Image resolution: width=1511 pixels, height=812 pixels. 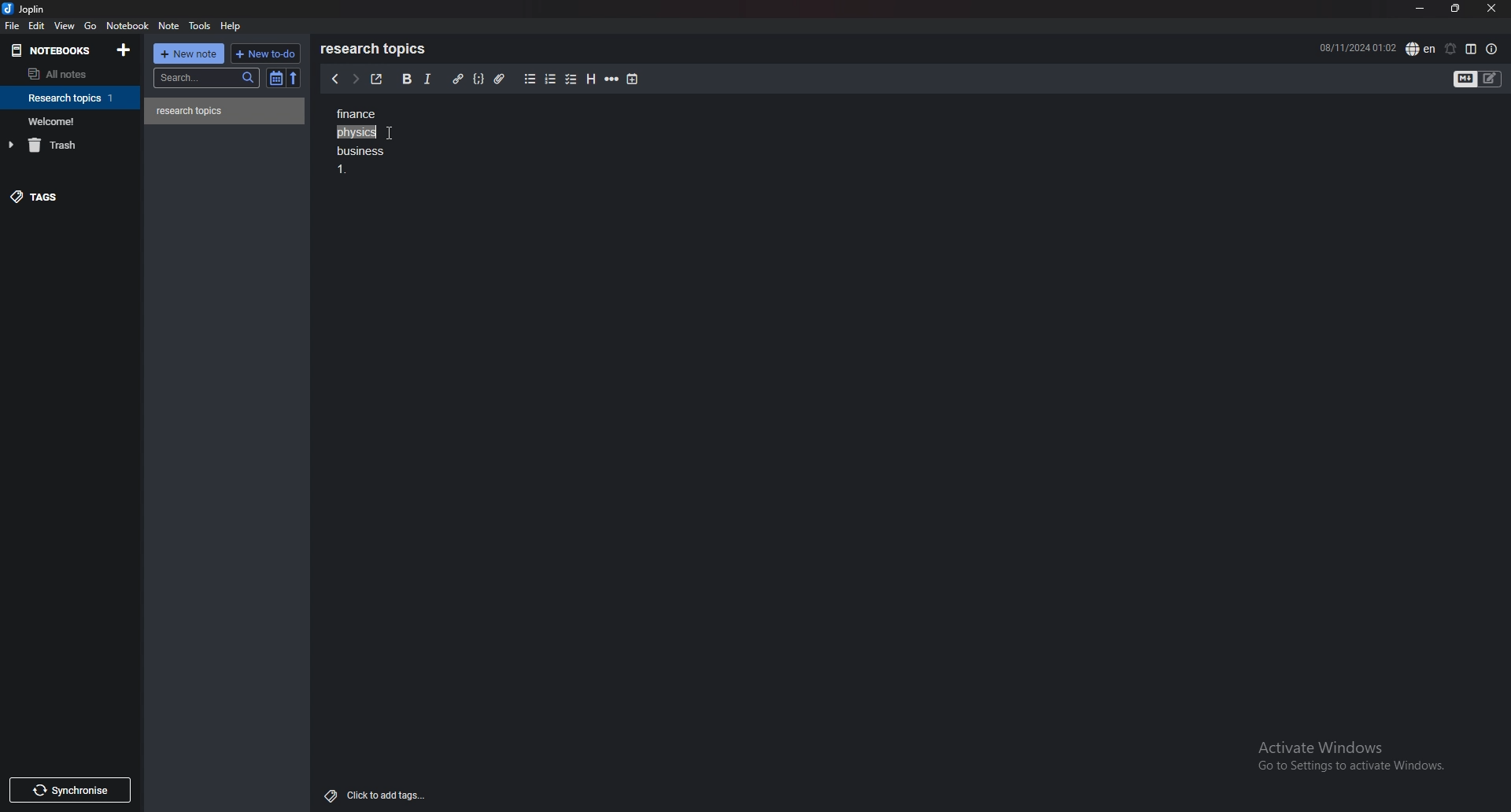 I want to click on checkbox, so click(x=571, y=79).